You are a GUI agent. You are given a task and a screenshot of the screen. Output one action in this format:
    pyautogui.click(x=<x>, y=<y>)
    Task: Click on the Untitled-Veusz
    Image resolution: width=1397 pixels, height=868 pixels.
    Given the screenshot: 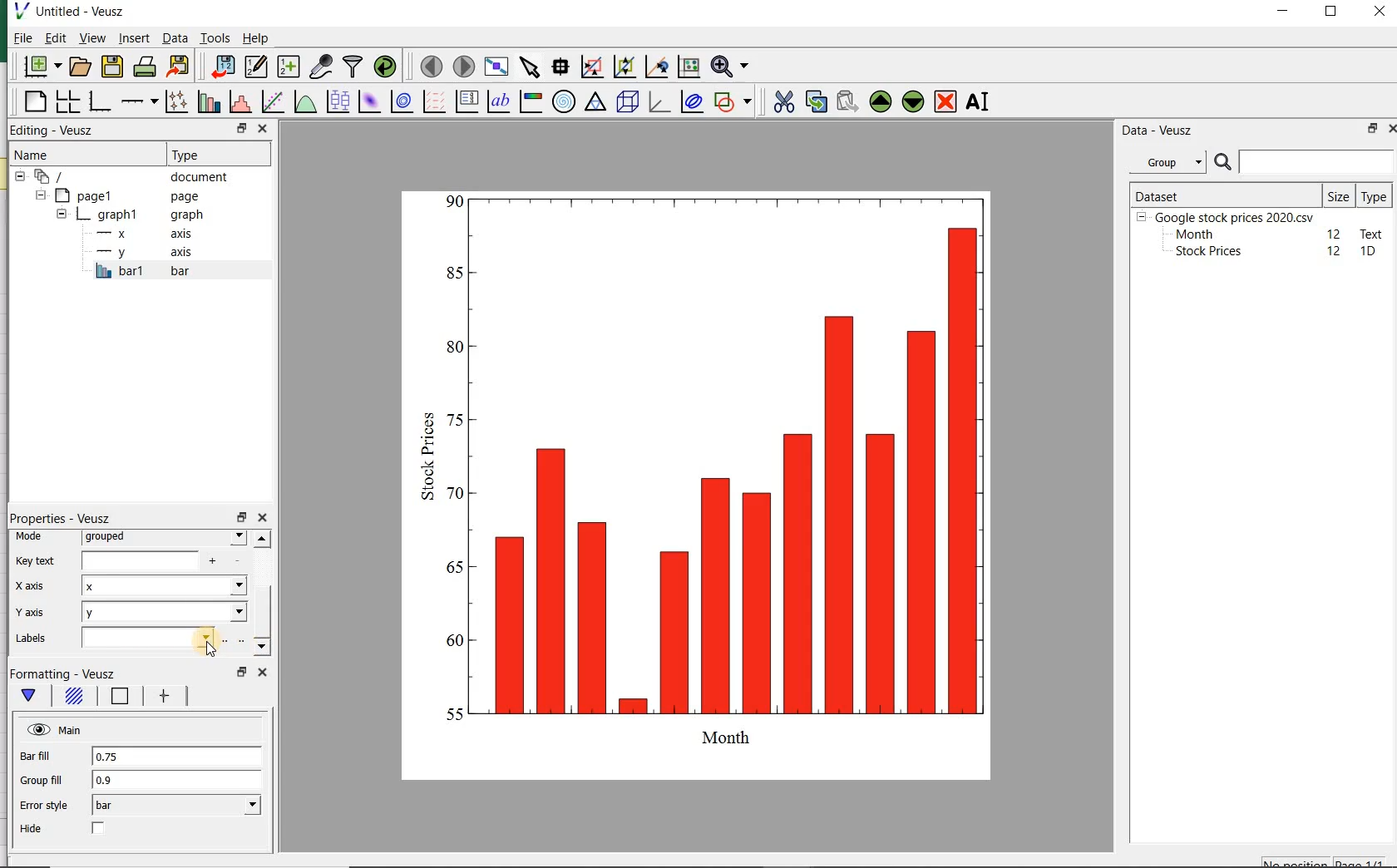 What is the action you would take?
    pyautogui.click(x=77, y=12)
    